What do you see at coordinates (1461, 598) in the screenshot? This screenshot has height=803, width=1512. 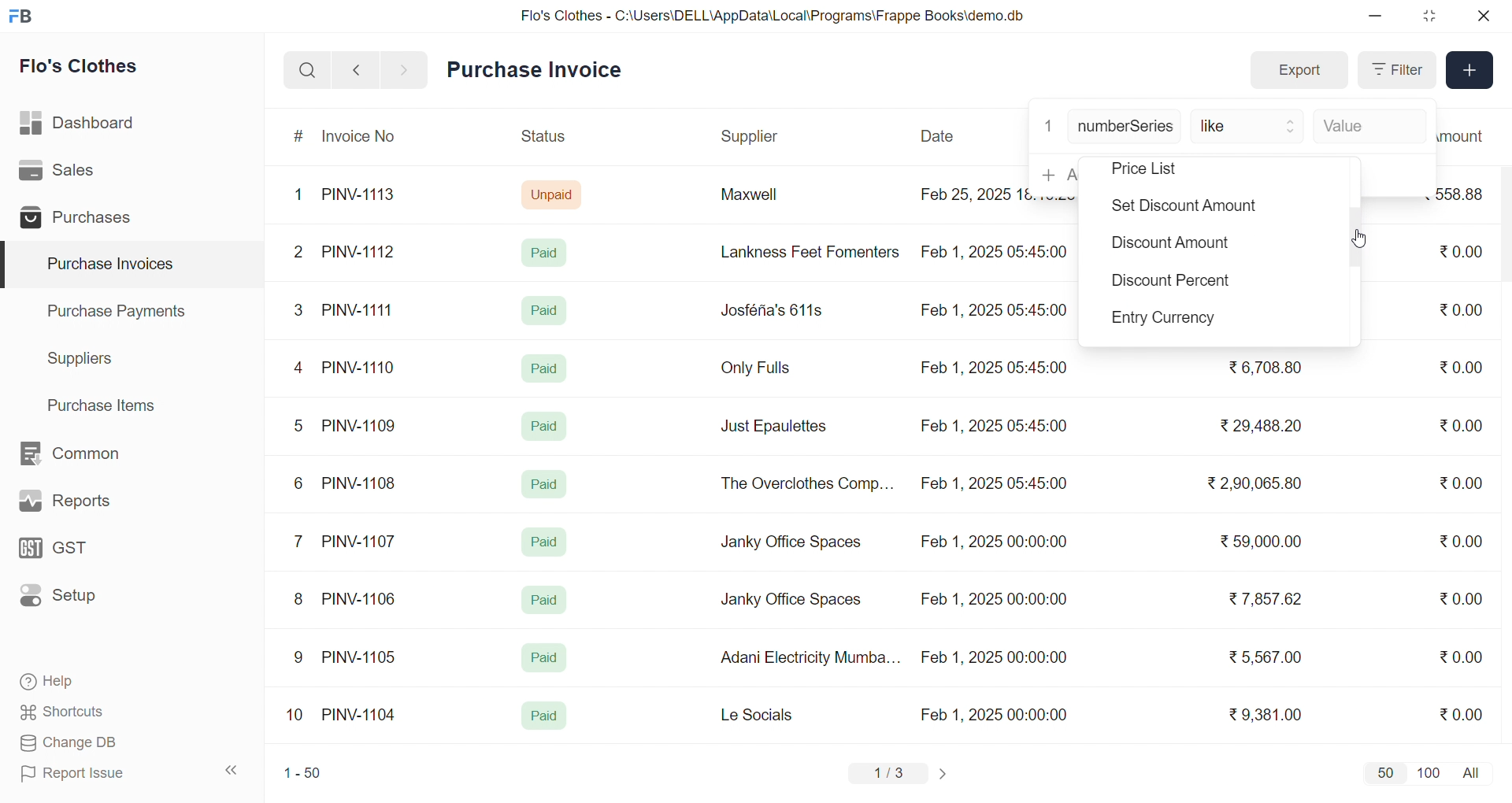 I see `₹0.00` at bounding box center [1461, 598].